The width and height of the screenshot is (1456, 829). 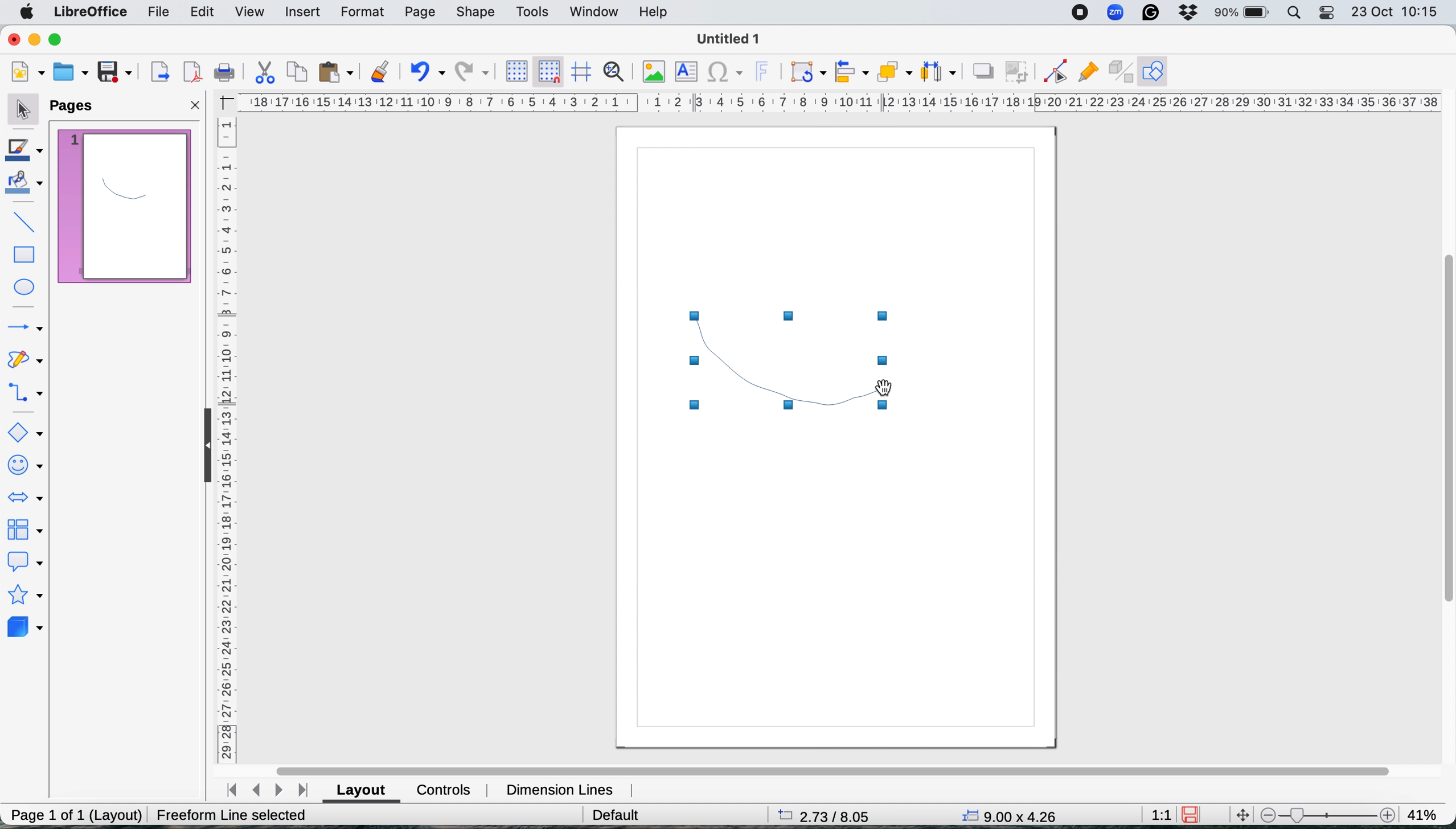 What do you see at coordinates (71, 812) in the screenshot?
I see `page 1 of 1` at bounding box center [71, 812].